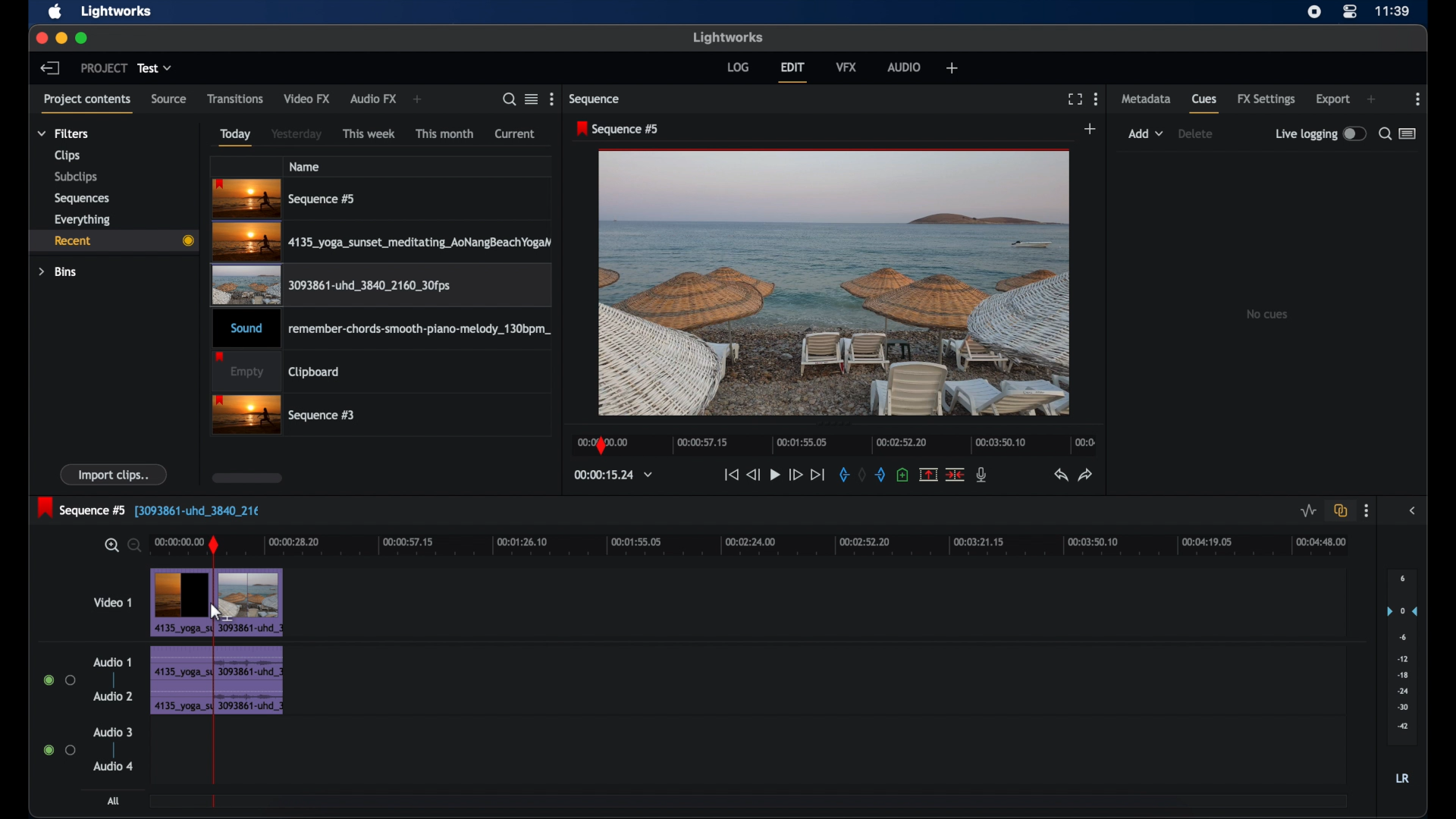 This screenshot has height=819, width=1456. I want to click on clips, so click(67, 155).